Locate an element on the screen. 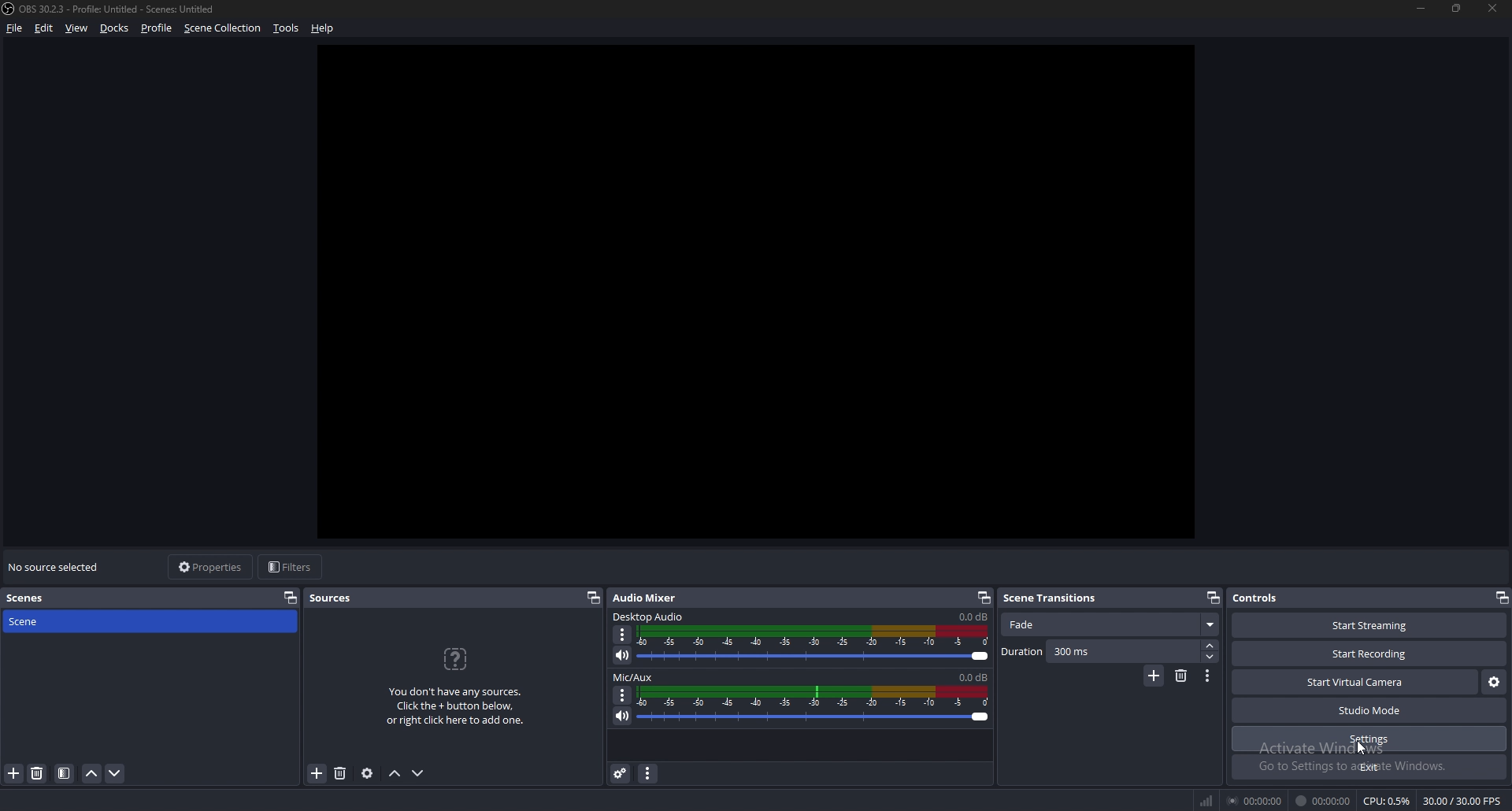 This screenshot has width=1512, height=811. You don't have any sources. Click the + button below. or right click here to add one. is located at coordinates (454, 708).